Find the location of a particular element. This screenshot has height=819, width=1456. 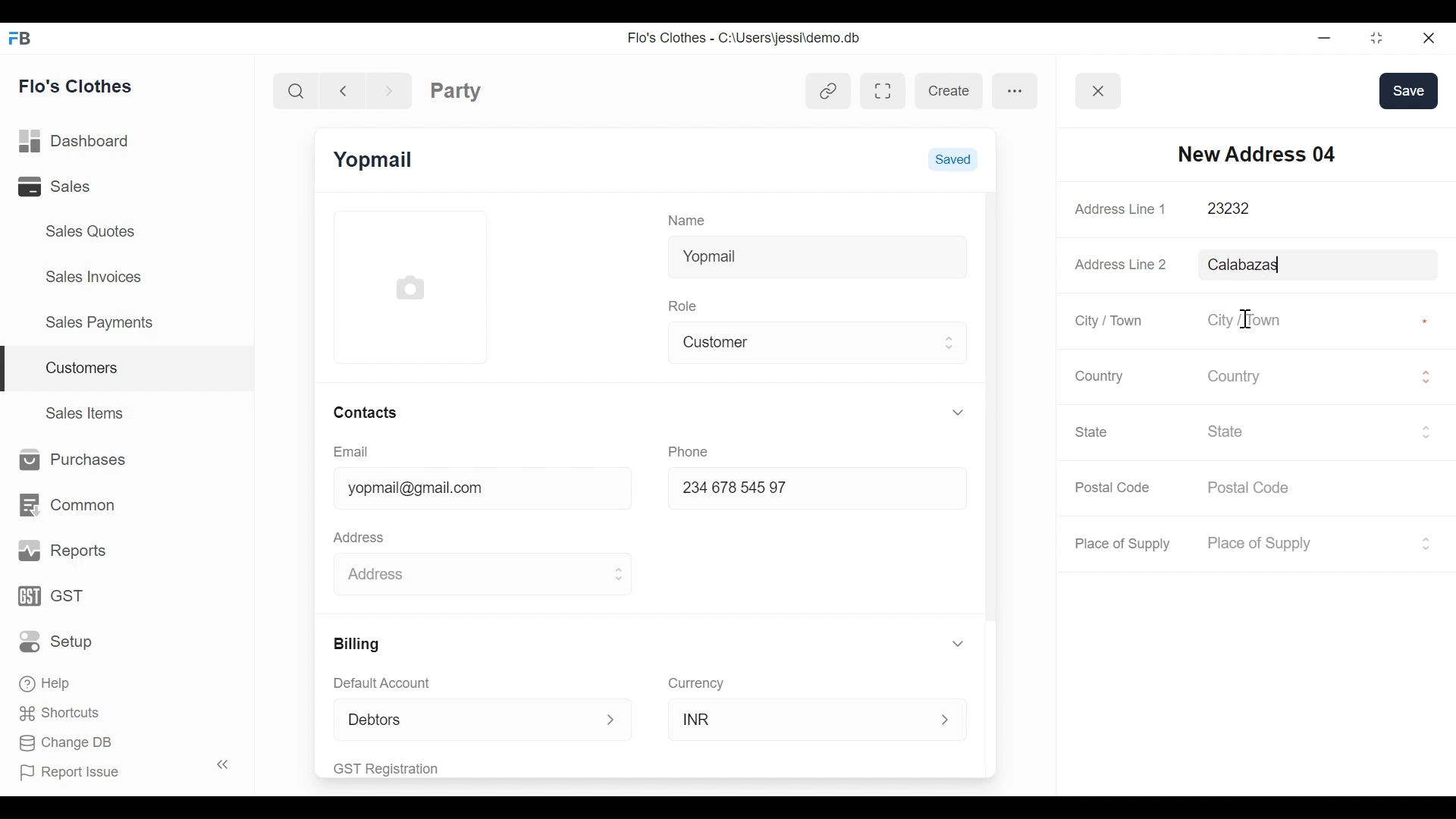

Expand is located at coordinates (947, 720).